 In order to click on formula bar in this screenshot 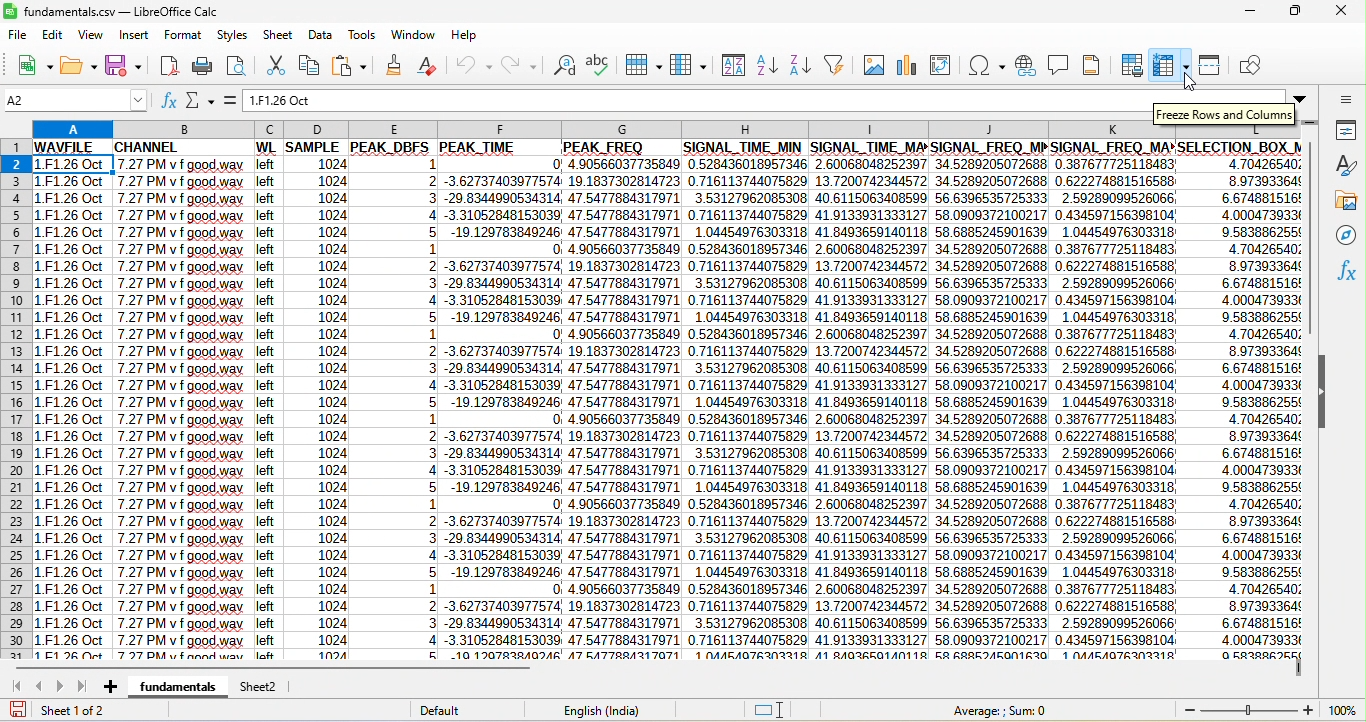, I will do `click(782, 97)`.